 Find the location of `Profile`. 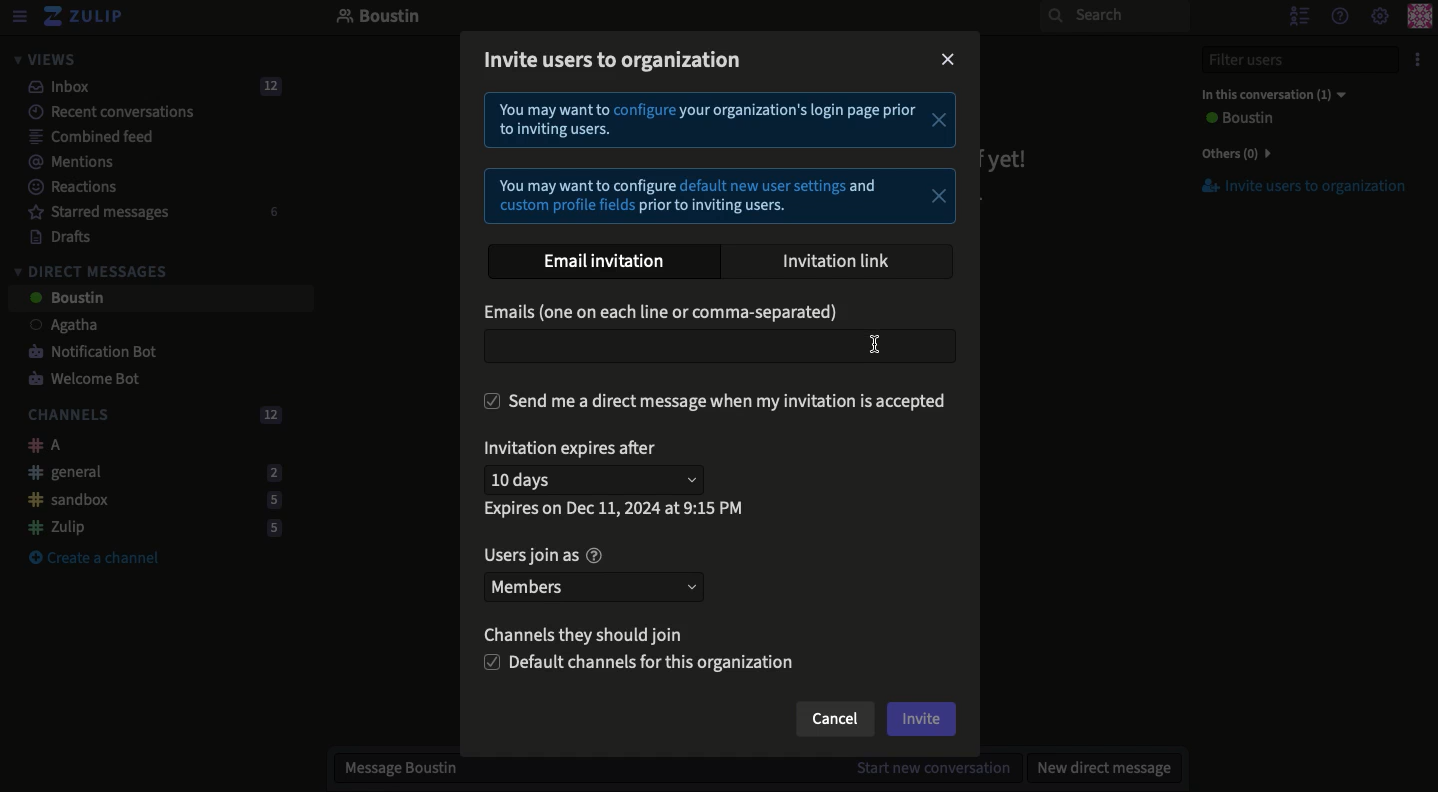

Profile is located at coordinates (1419, 18).